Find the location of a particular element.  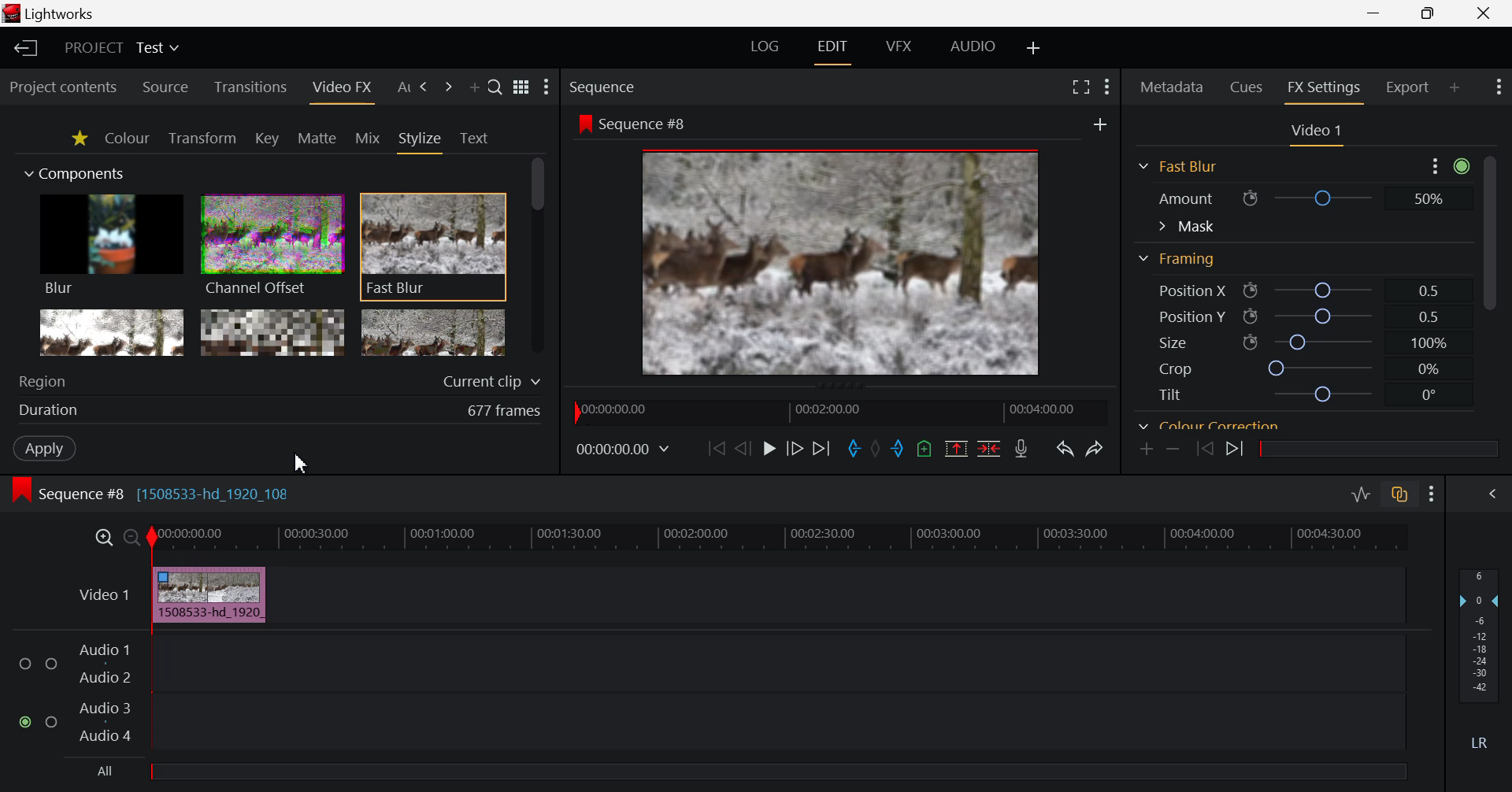

To End is located at coordinates (823, 450).